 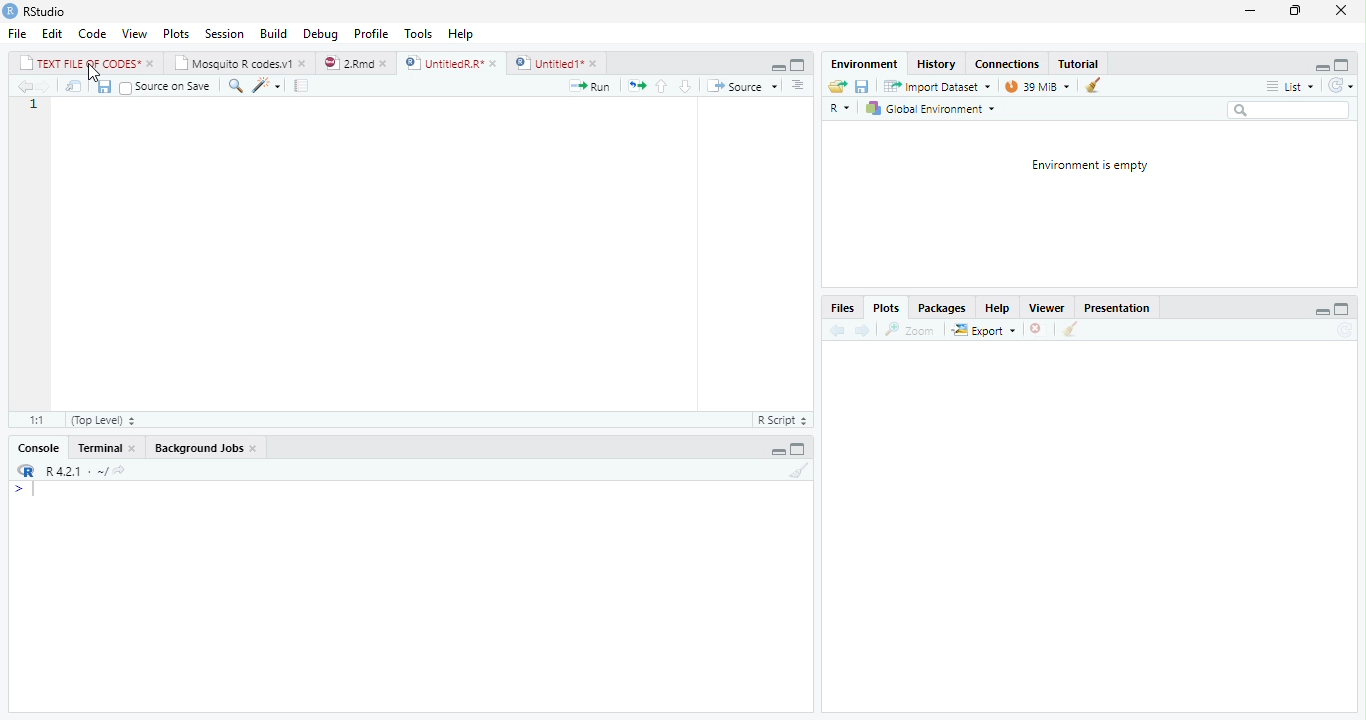 What do you see at coordinates (119, 469) in the screenshot?
I see `Show directory` at bounding box center [119, 469].